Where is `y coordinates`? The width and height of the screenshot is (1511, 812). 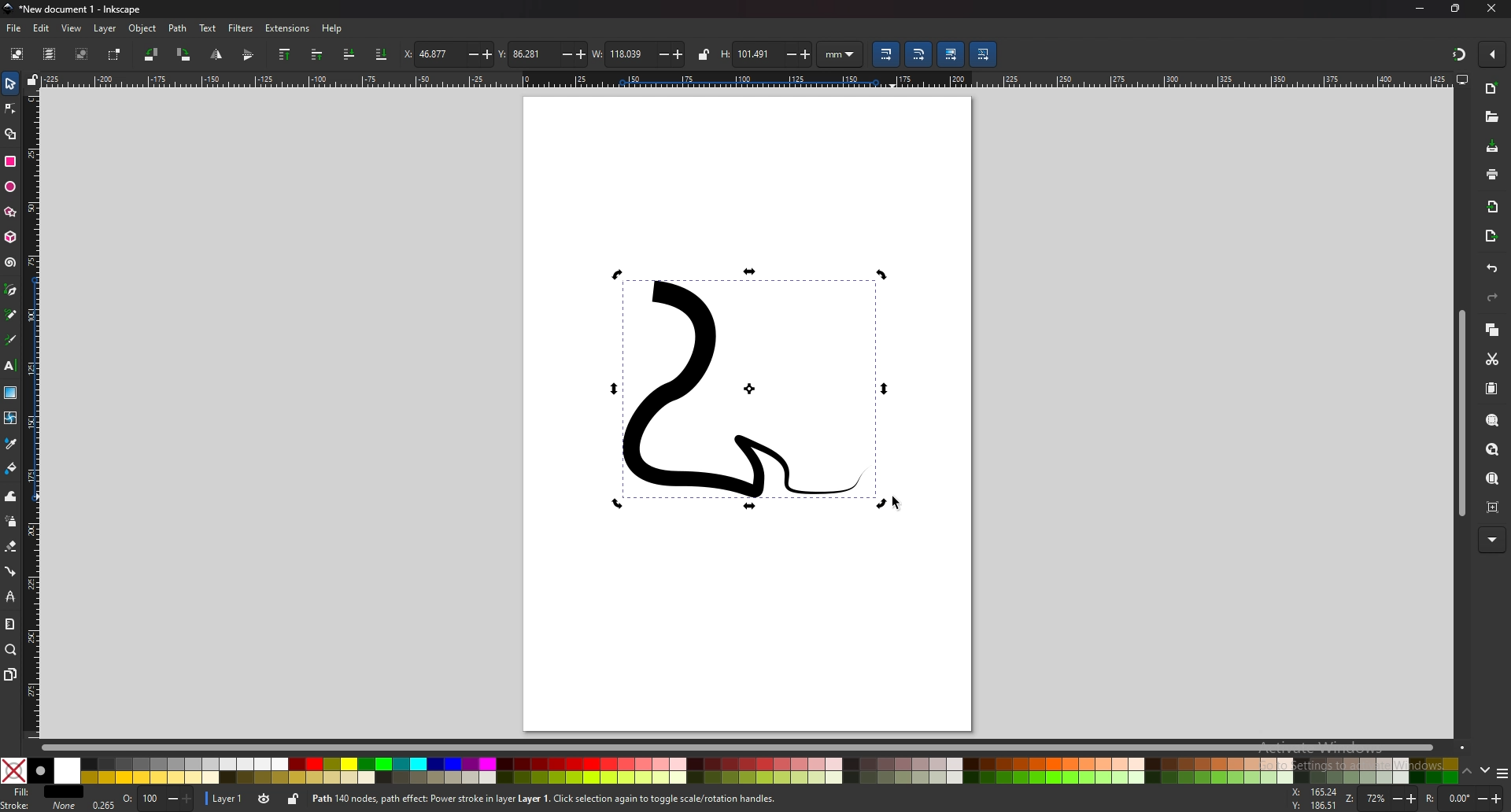
y coordinates is located at coordinates (540, 54).